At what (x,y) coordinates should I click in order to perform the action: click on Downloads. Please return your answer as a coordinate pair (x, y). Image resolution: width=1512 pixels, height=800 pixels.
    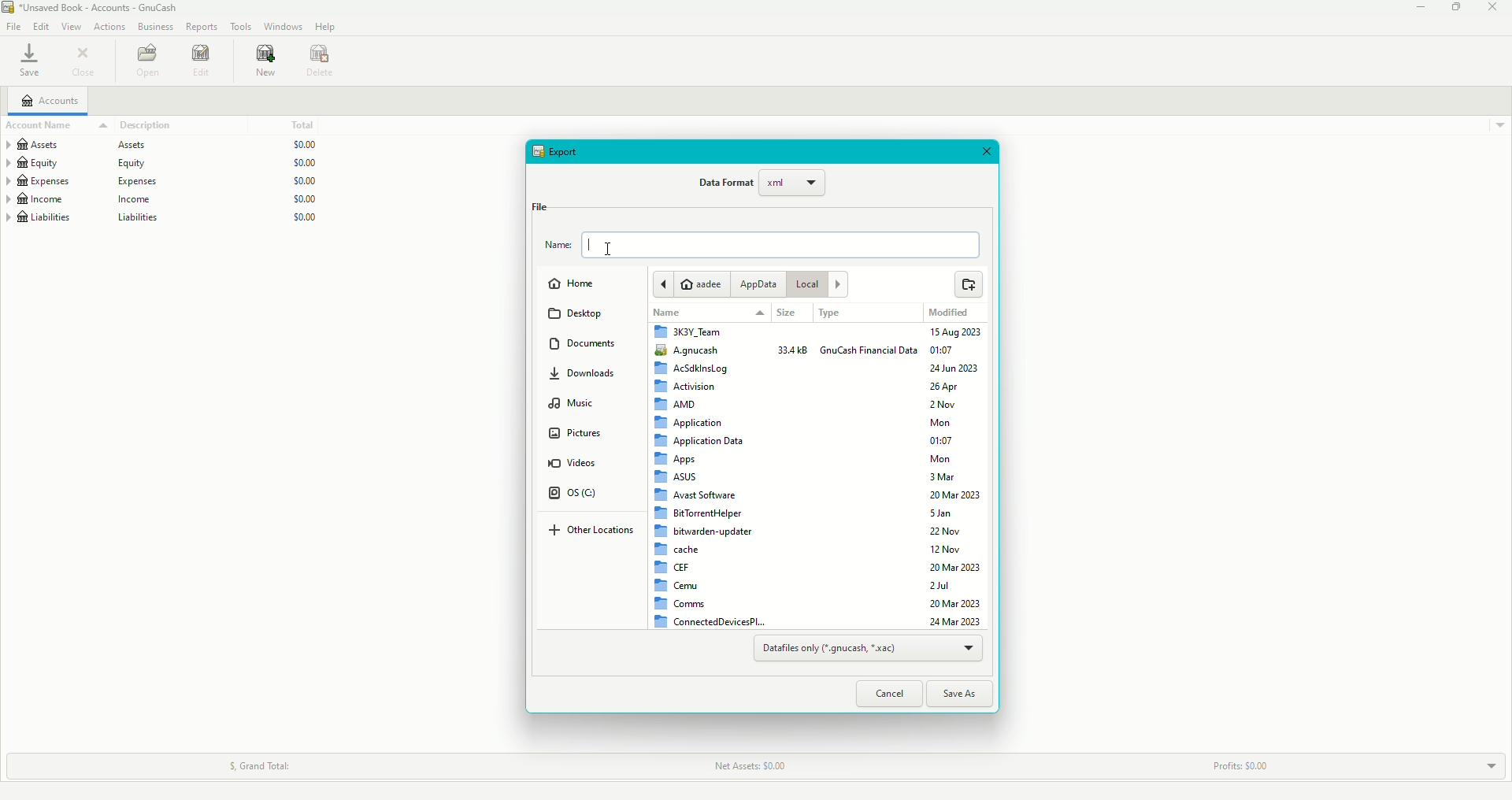
    Looking at the image, I should click on (591, 378).